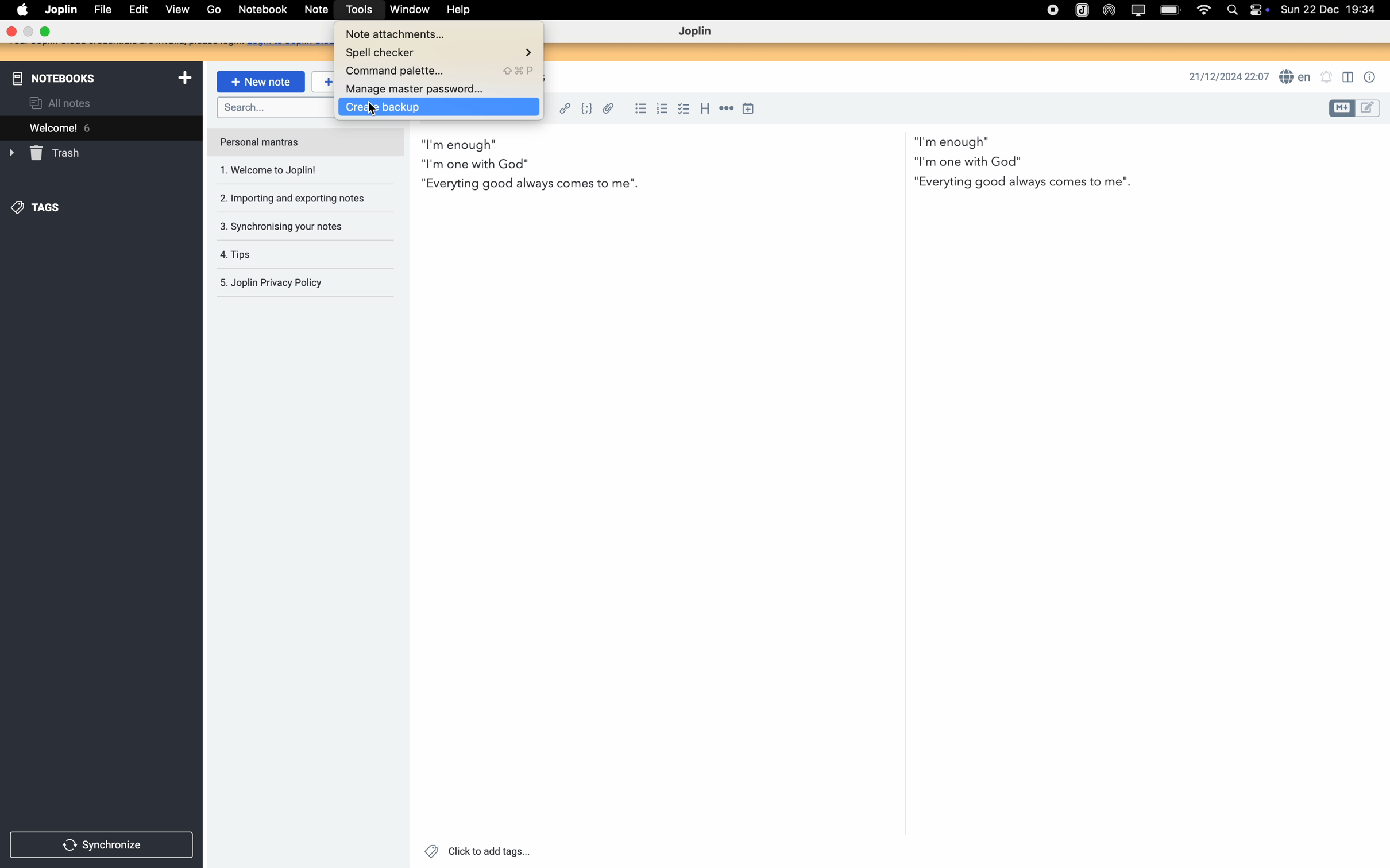 The image size is (1390, 868). I want to click on maximize, so click(46, 30).